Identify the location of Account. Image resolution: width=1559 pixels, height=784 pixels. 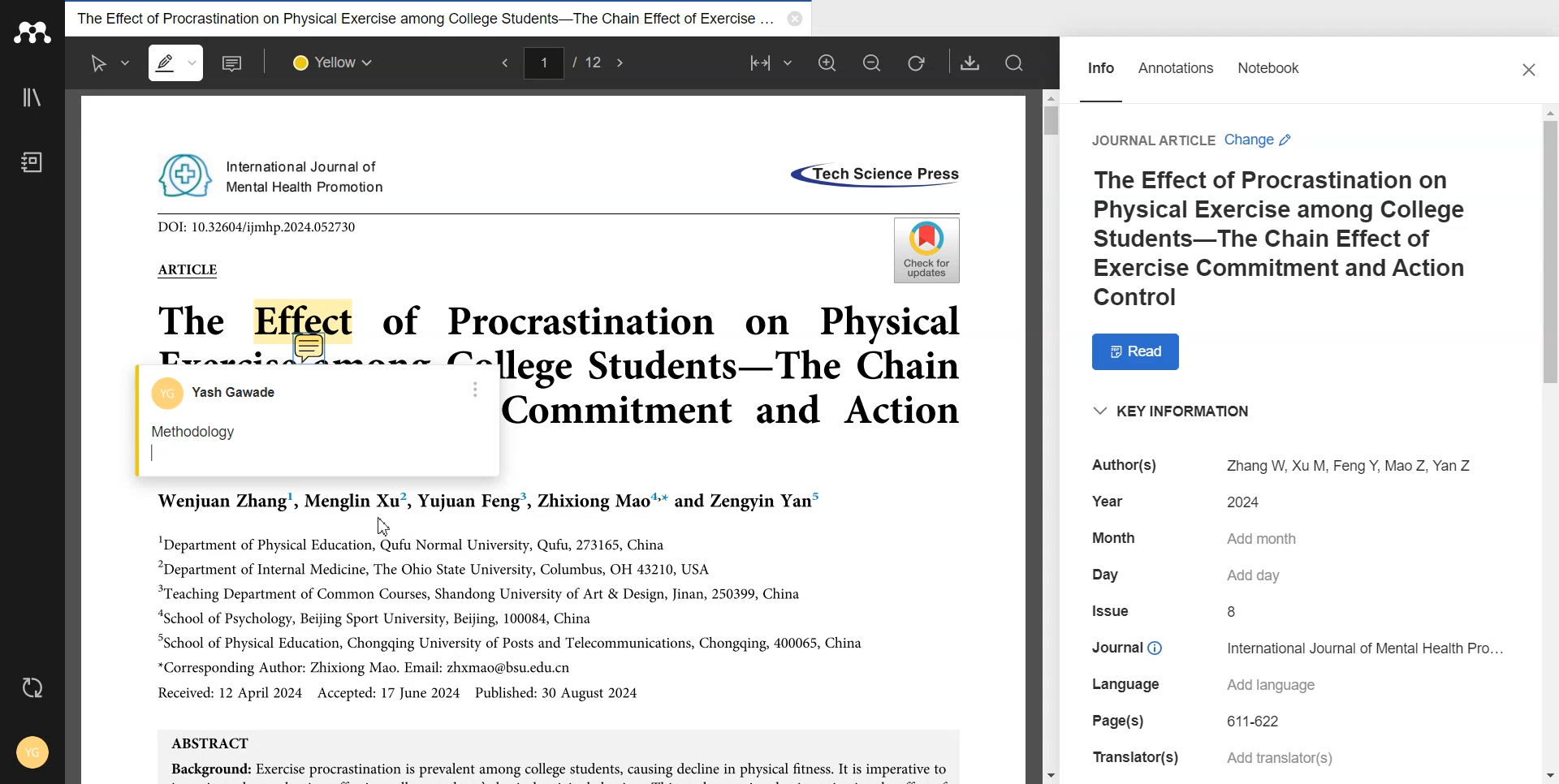
(29, 748).